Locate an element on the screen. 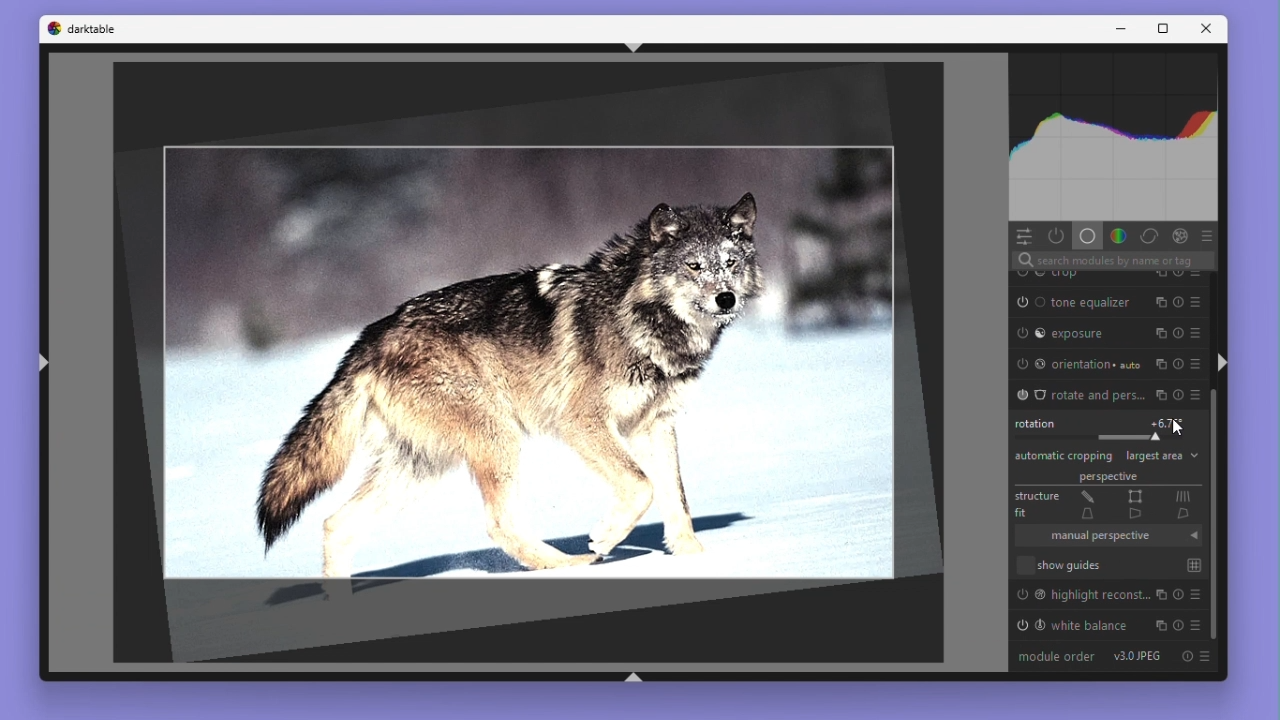 The image size is (1280, 720). Preset is located at coordinates (1208, 661).